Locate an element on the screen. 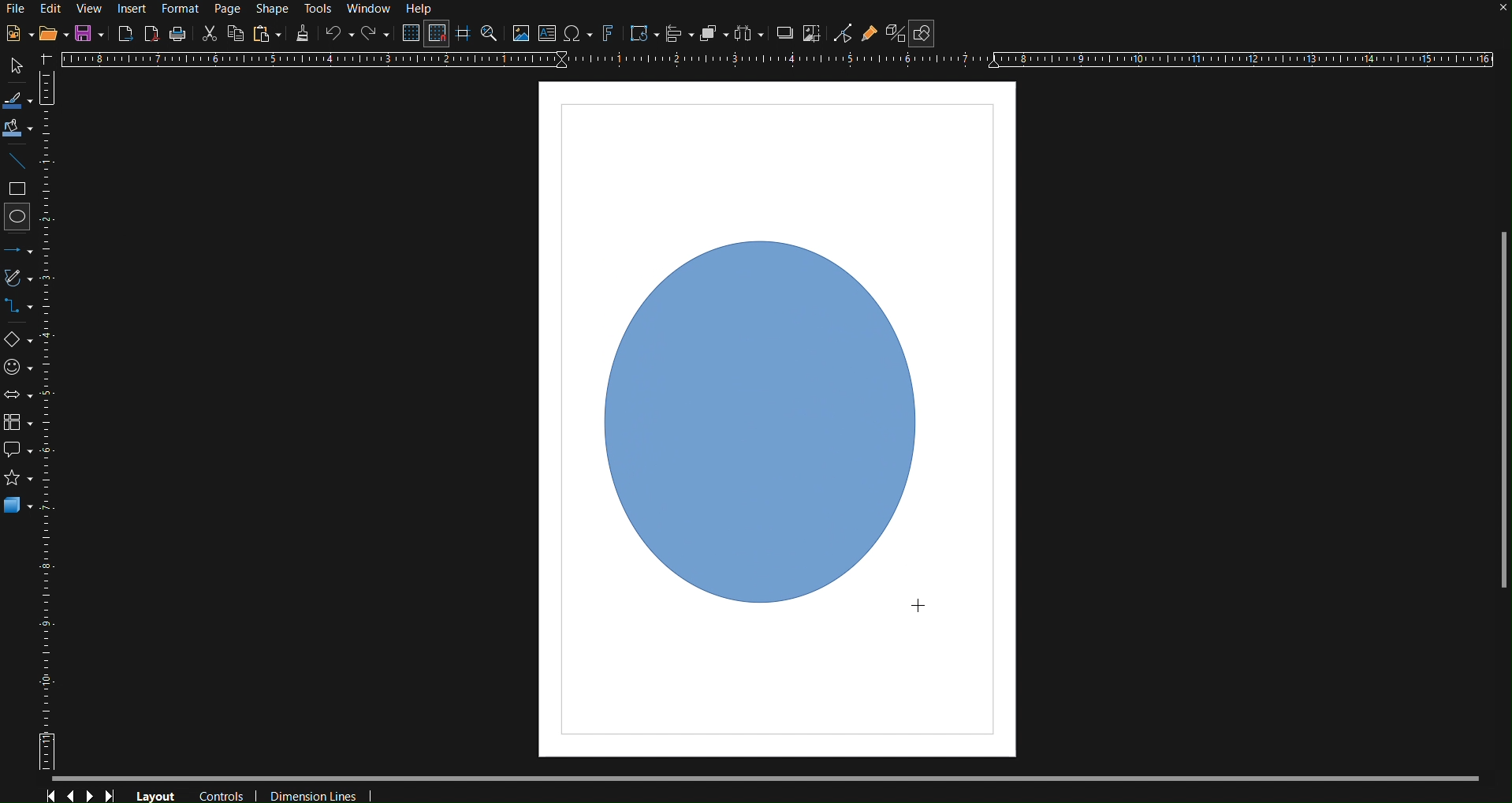 Image resolution: width=1512 pixels, height=803 pixels. Display Grid is located at coordinates (408, 35).